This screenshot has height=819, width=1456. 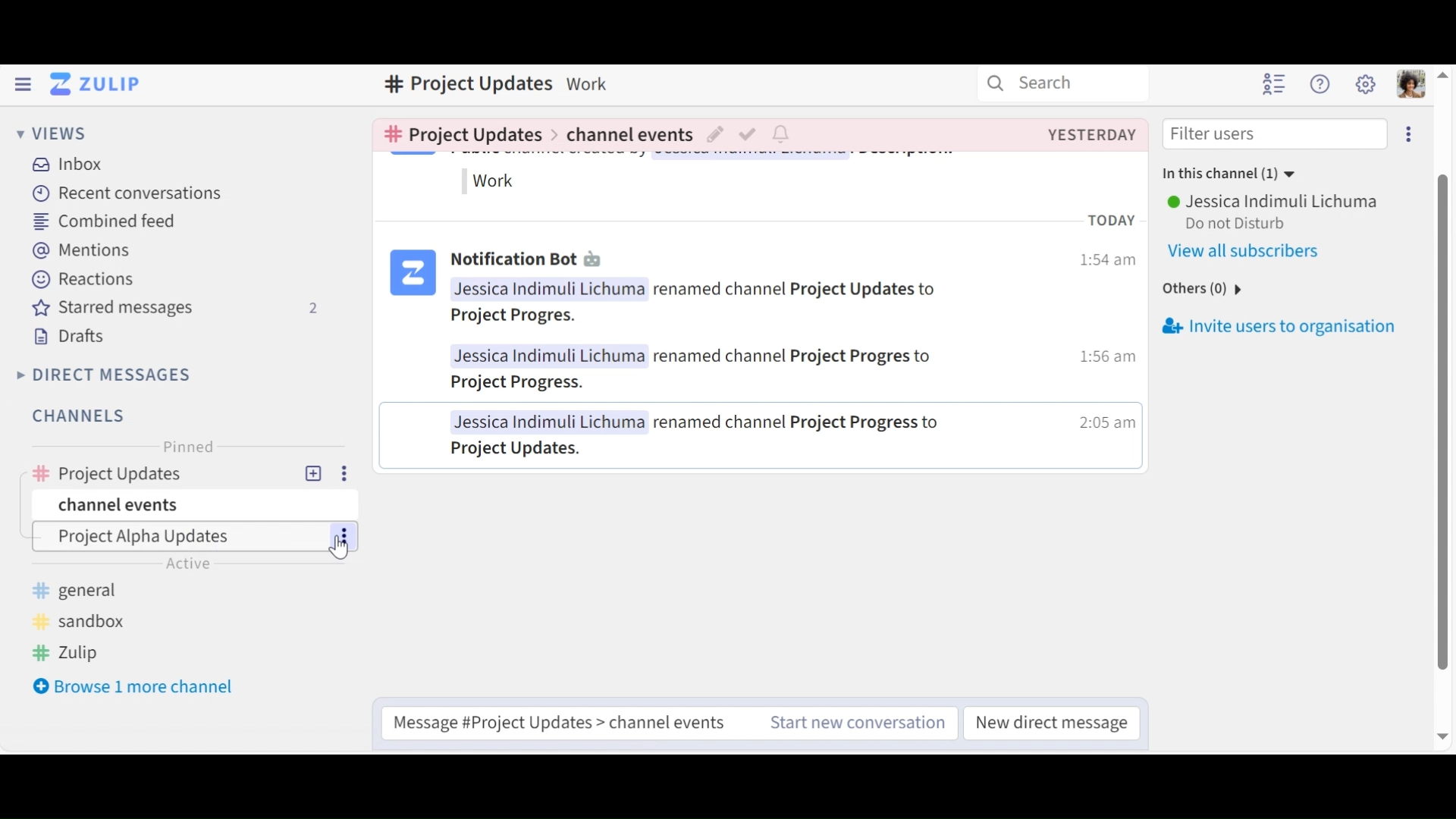 What do you see at coordinates (133, 686) in the screenshot?
I see `Browser 1 more channel` at bounding box center [133, 686].